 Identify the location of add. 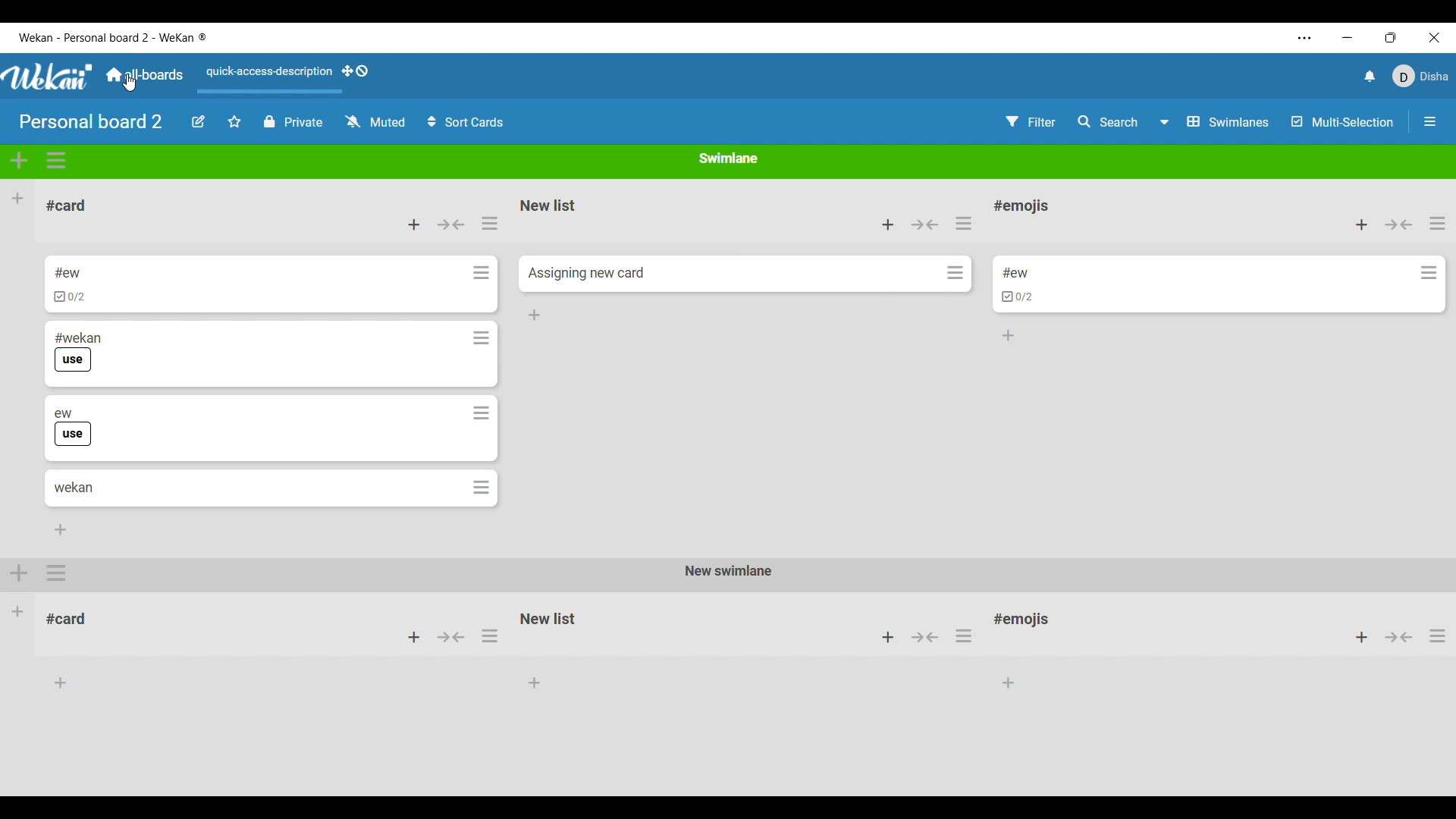
(536, 686).